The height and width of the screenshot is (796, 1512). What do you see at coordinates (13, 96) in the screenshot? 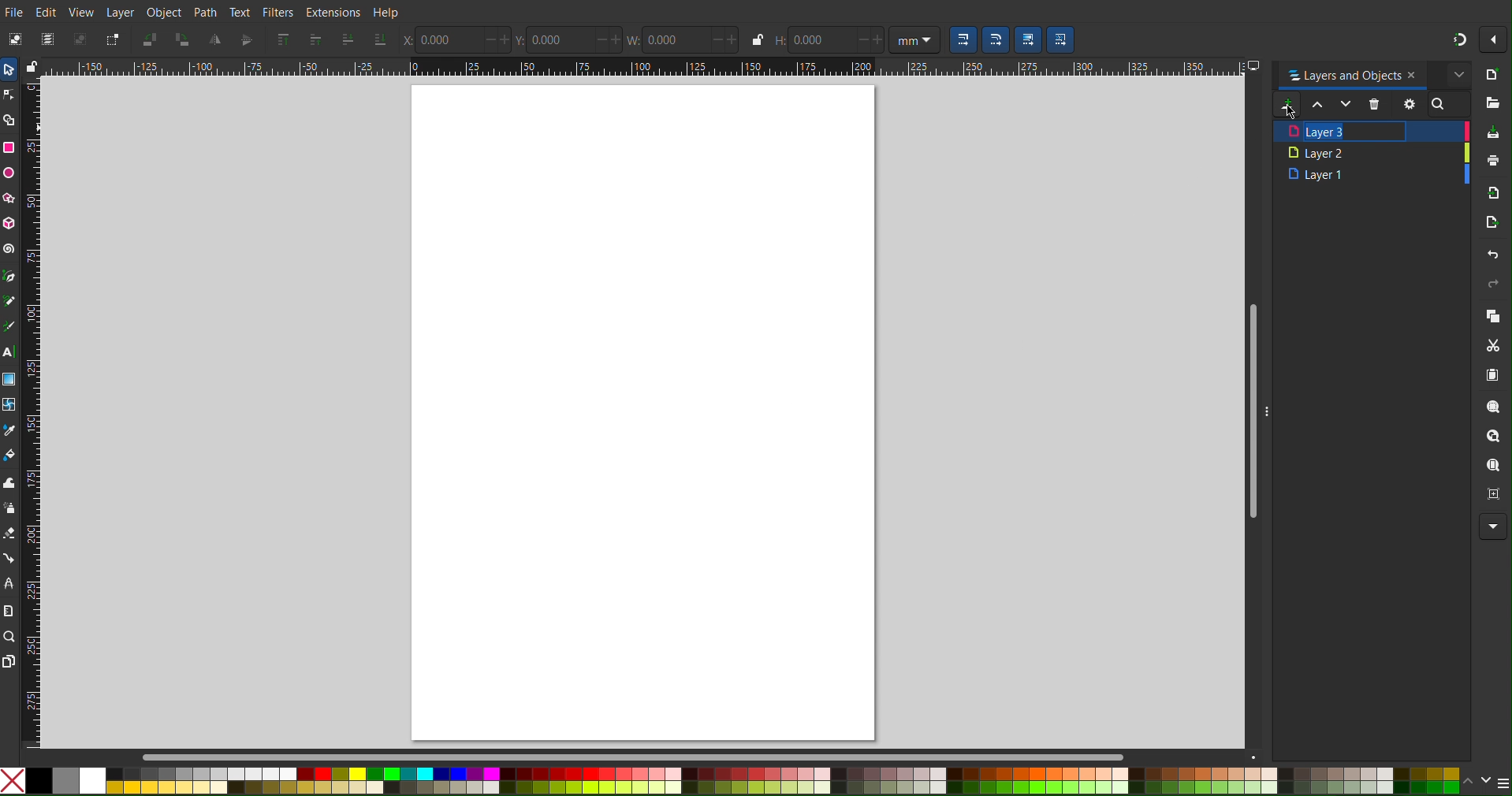
I see `Node Tool` at bounding box center [13, 96].